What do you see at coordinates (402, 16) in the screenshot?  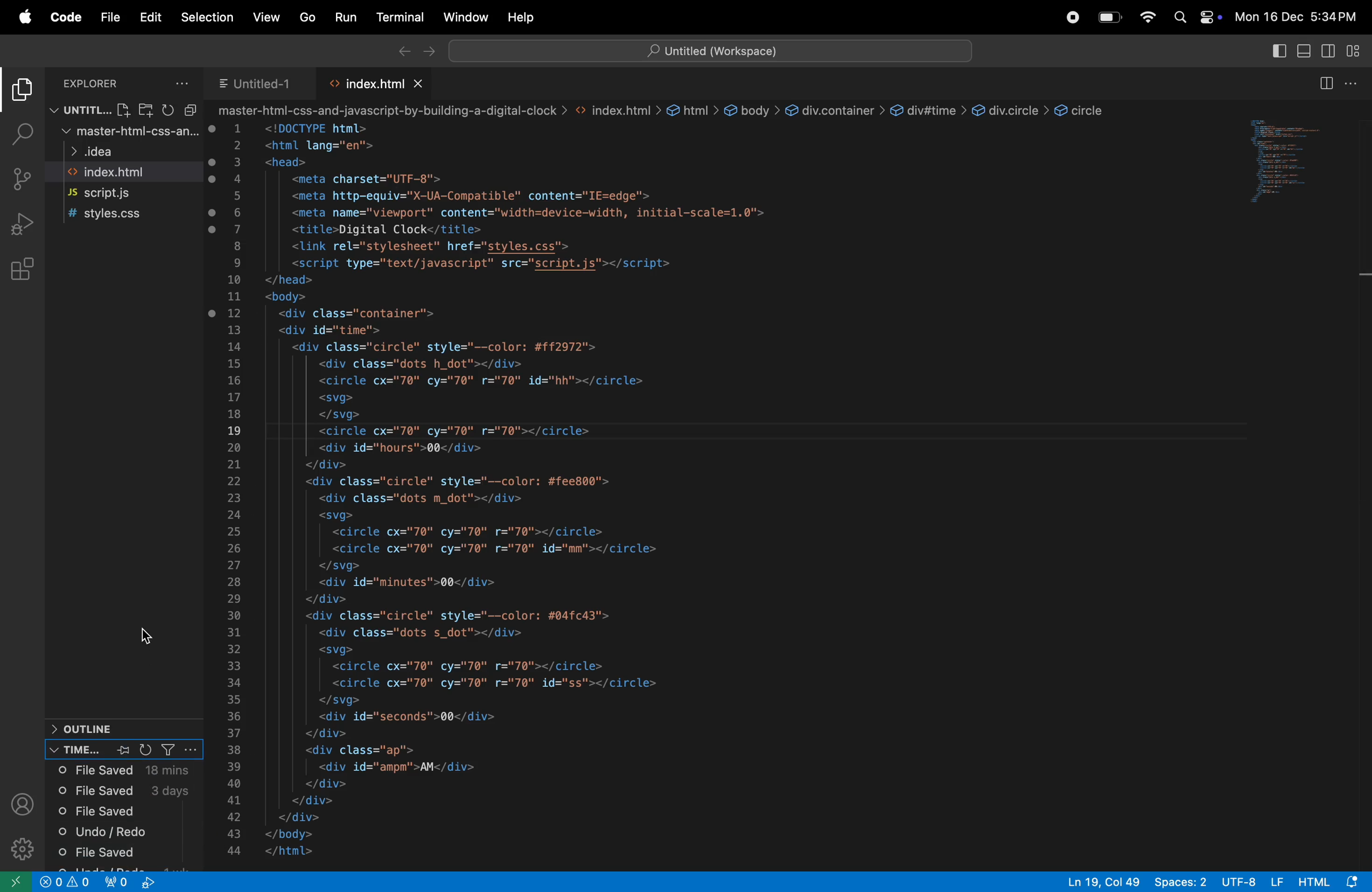 I see `terminal` at bounding box center [402, 16].